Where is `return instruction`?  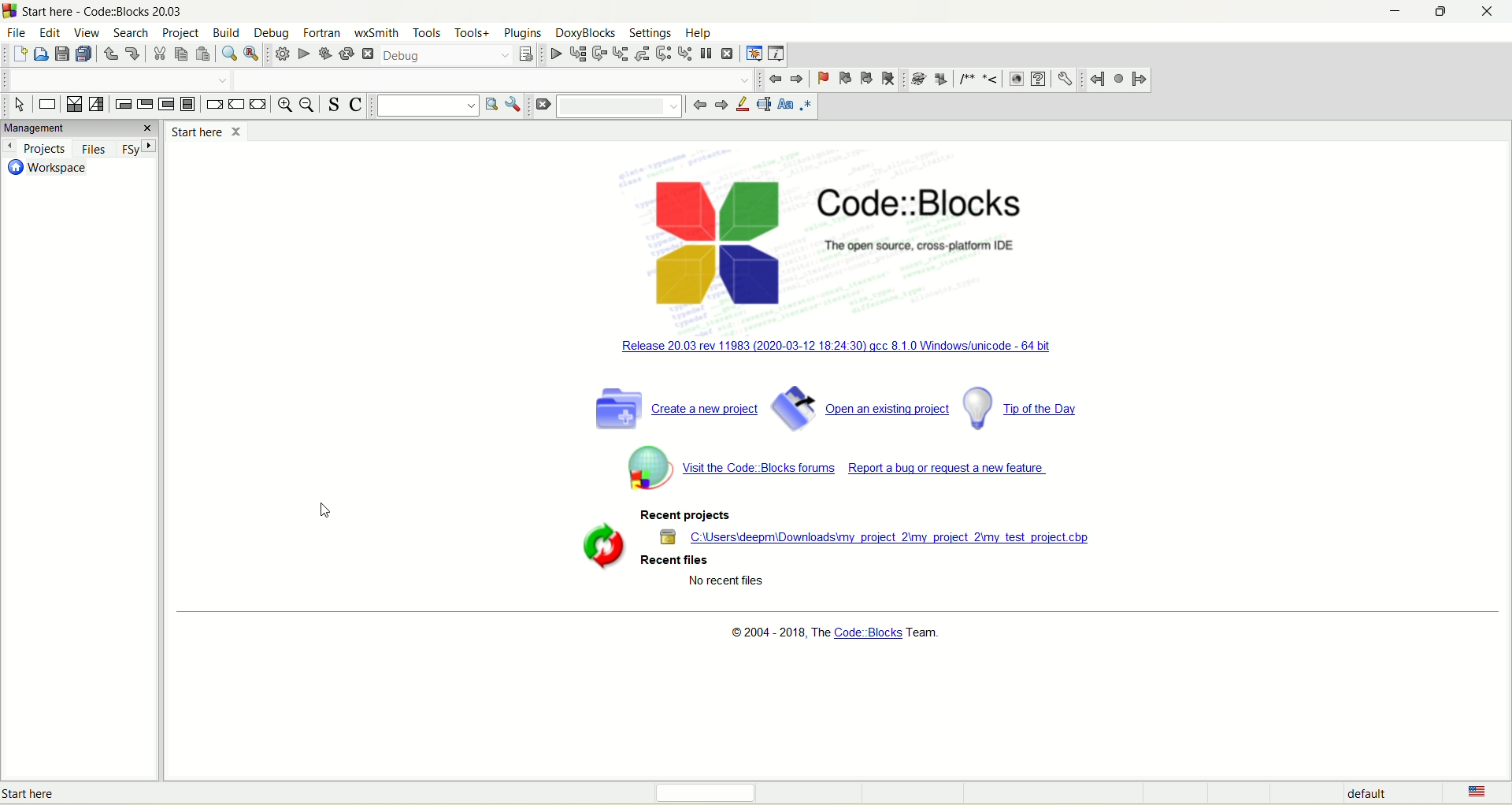 return instruction is located at coordinates (260, 104).